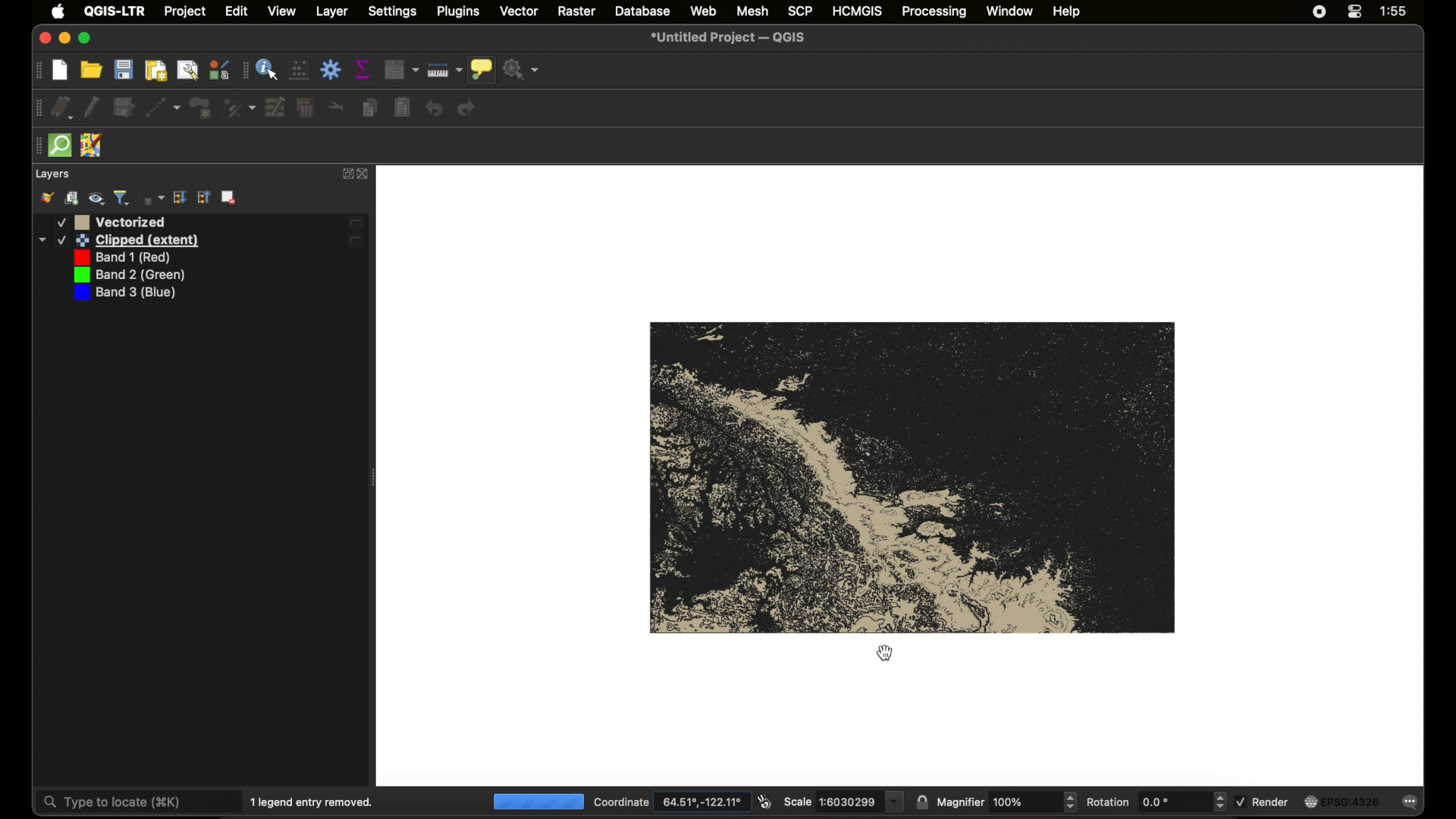 The height and width of the screenshot is (819, 1456). Describe the element at coordinates (797, 10) in the screenshot. I see `scp` at that location.